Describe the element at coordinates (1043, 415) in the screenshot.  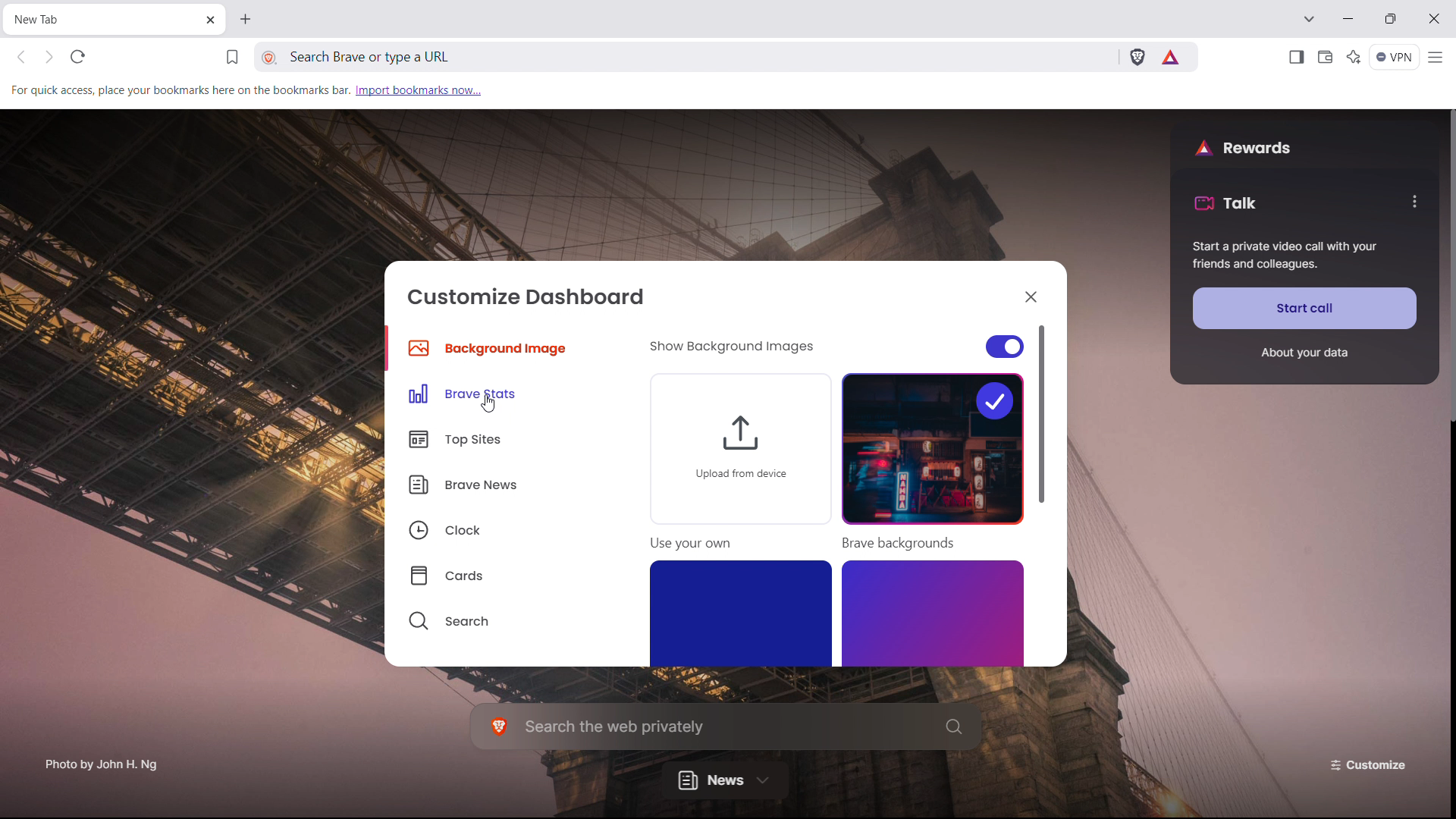
I see `scrollbar` at that location.